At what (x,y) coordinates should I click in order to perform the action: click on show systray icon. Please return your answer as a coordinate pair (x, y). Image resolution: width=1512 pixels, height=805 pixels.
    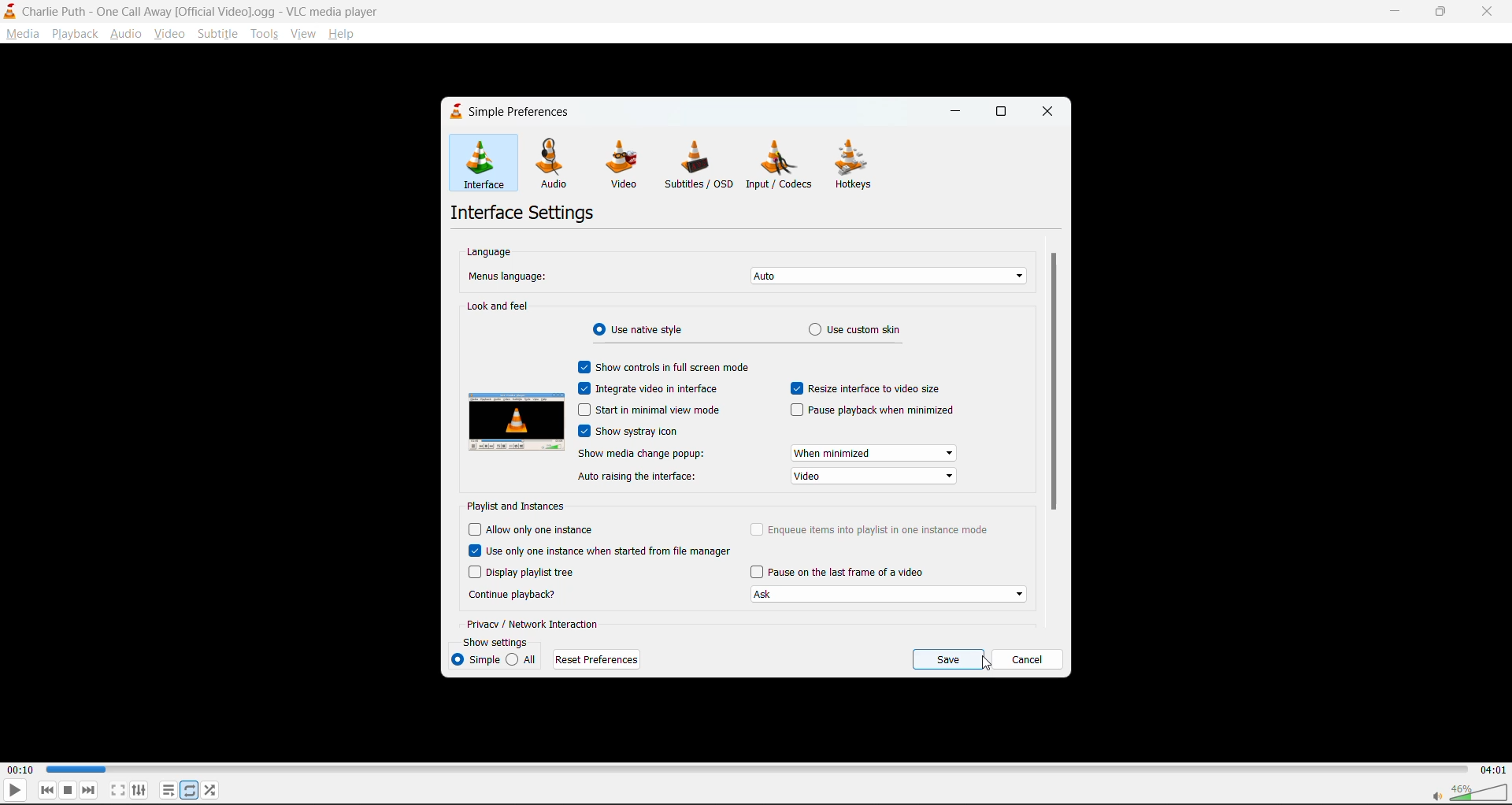
    Looking at the image, I should click on (645, 432).